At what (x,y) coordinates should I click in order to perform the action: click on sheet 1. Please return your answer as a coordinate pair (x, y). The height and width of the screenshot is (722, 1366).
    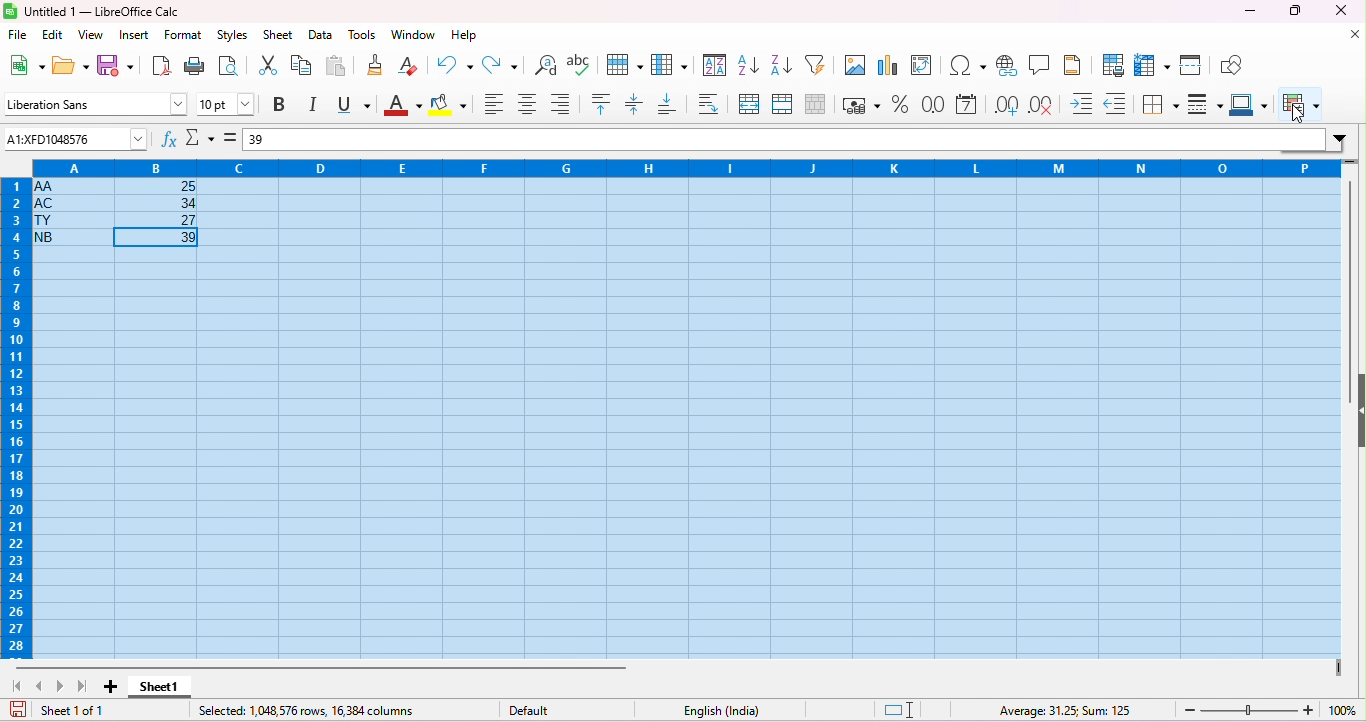
    Looking at the image, I should click on (163, 689).